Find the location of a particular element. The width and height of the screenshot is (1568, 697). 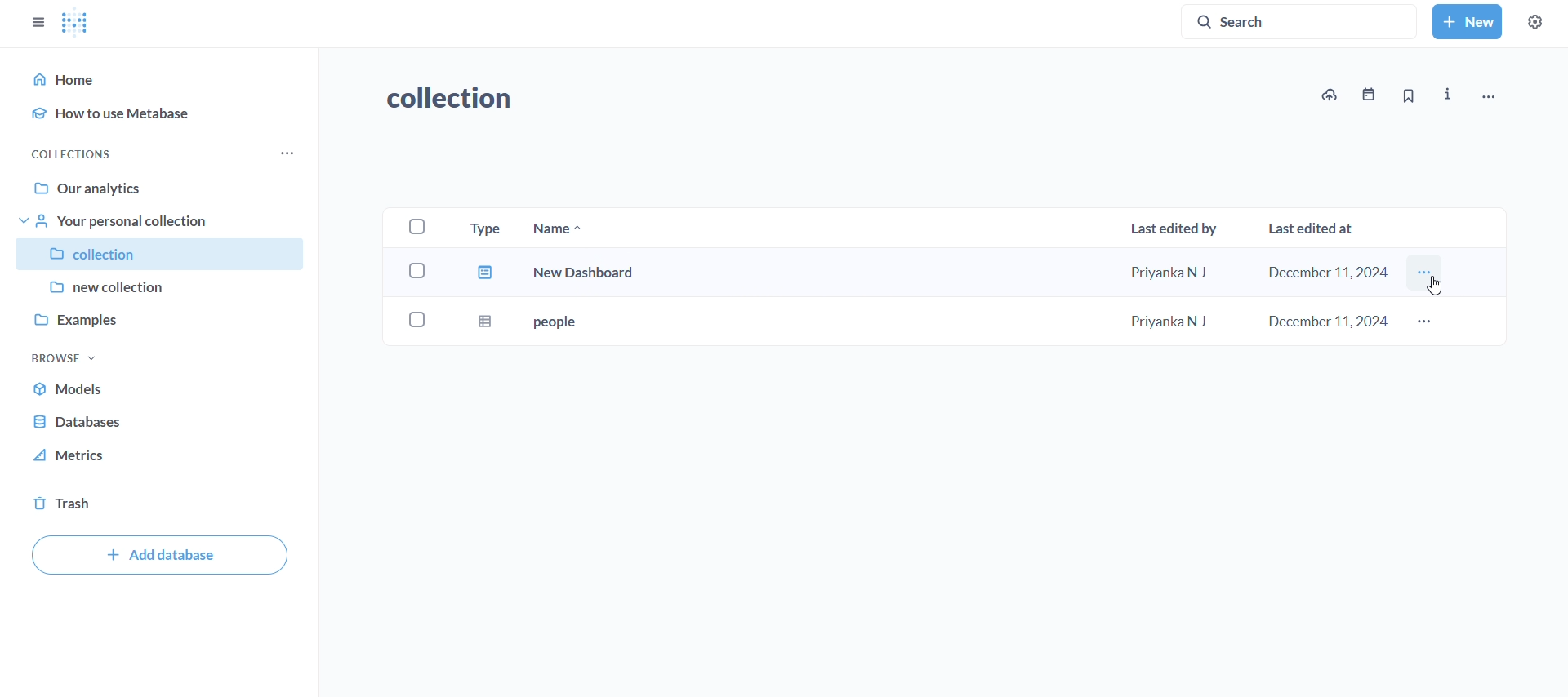

search is located at coordinates (1303, 20).